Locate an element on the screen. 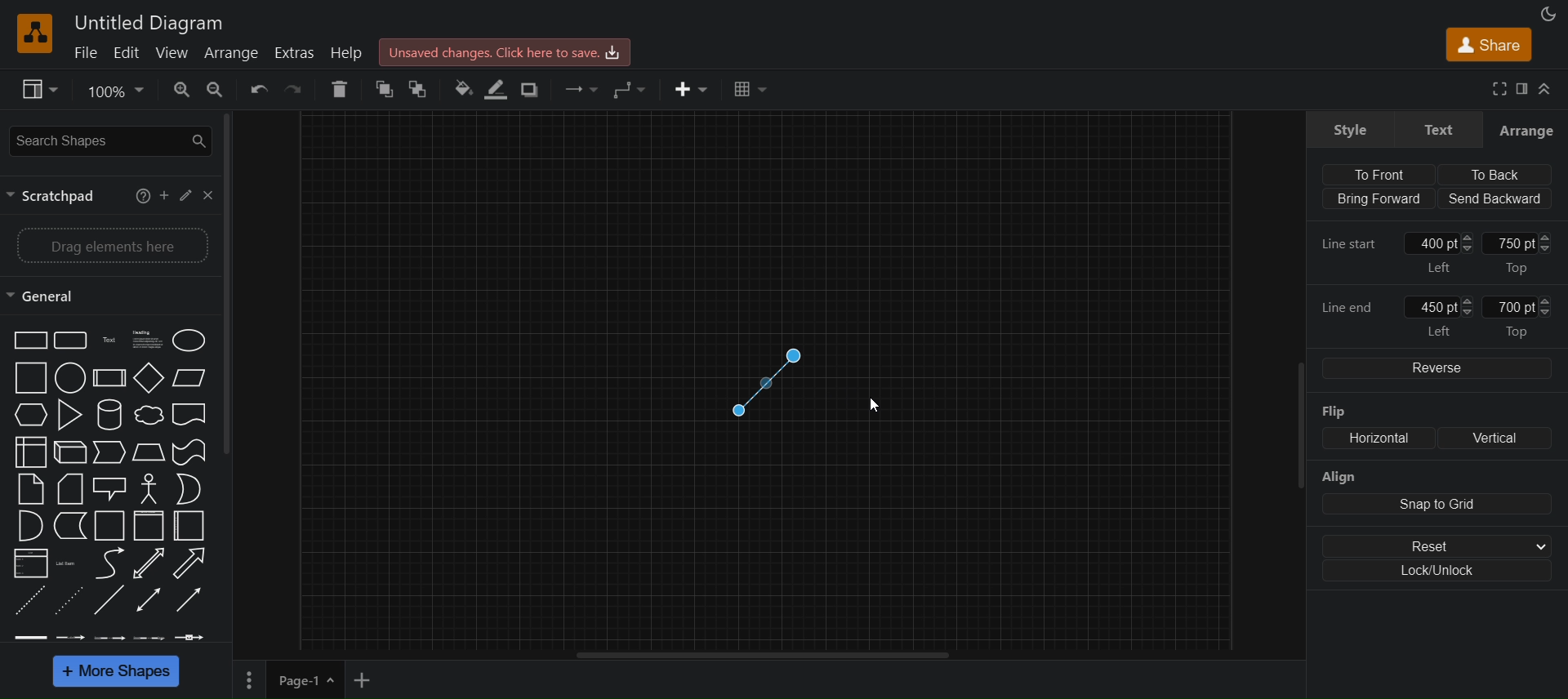 This screenshot has width=1568, height=699. Parallelogram is located at coordinates (189, 377).